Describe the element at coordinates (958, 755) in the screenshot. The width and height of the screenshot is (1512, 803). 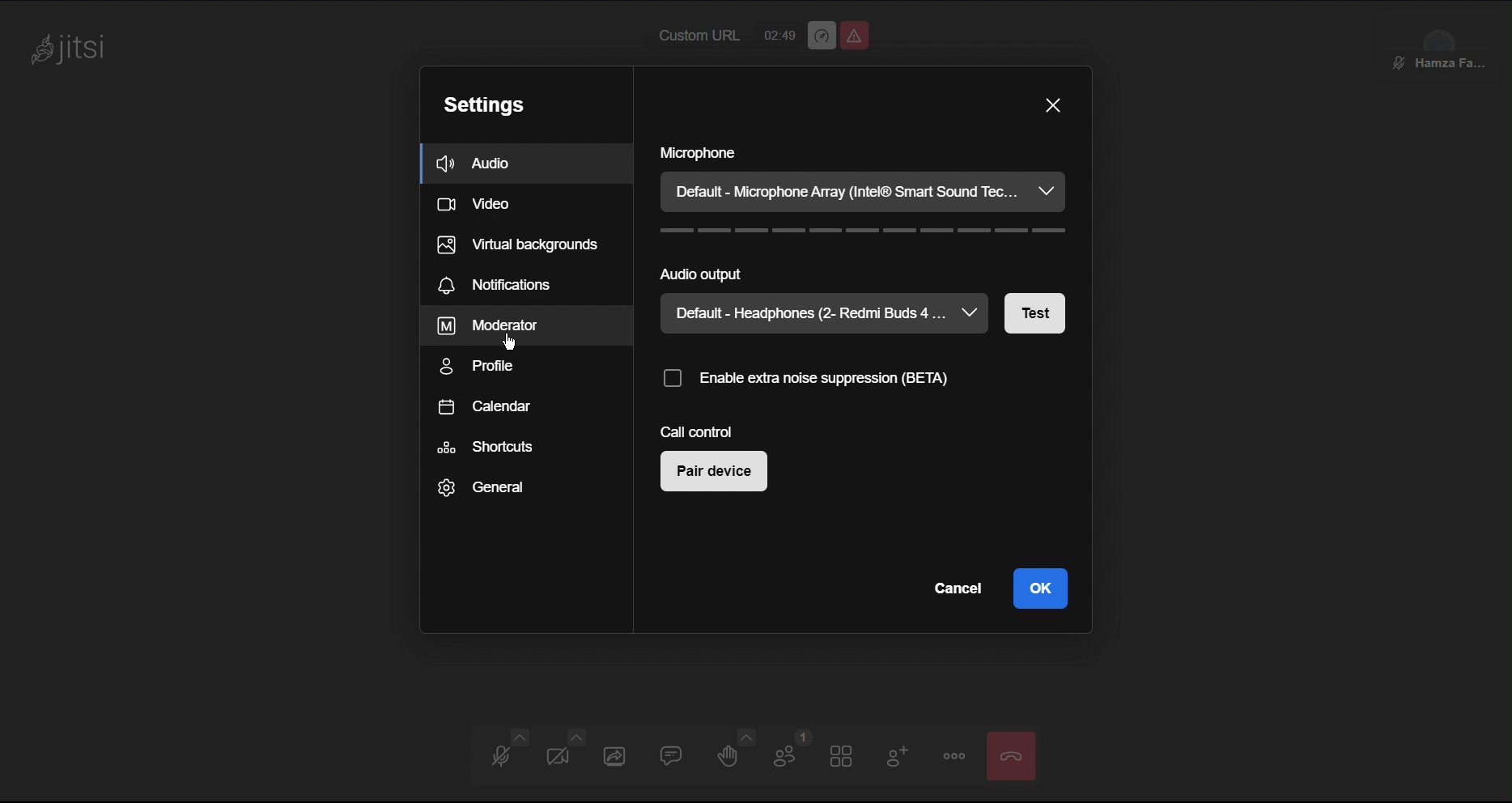
I see `More` at that location.